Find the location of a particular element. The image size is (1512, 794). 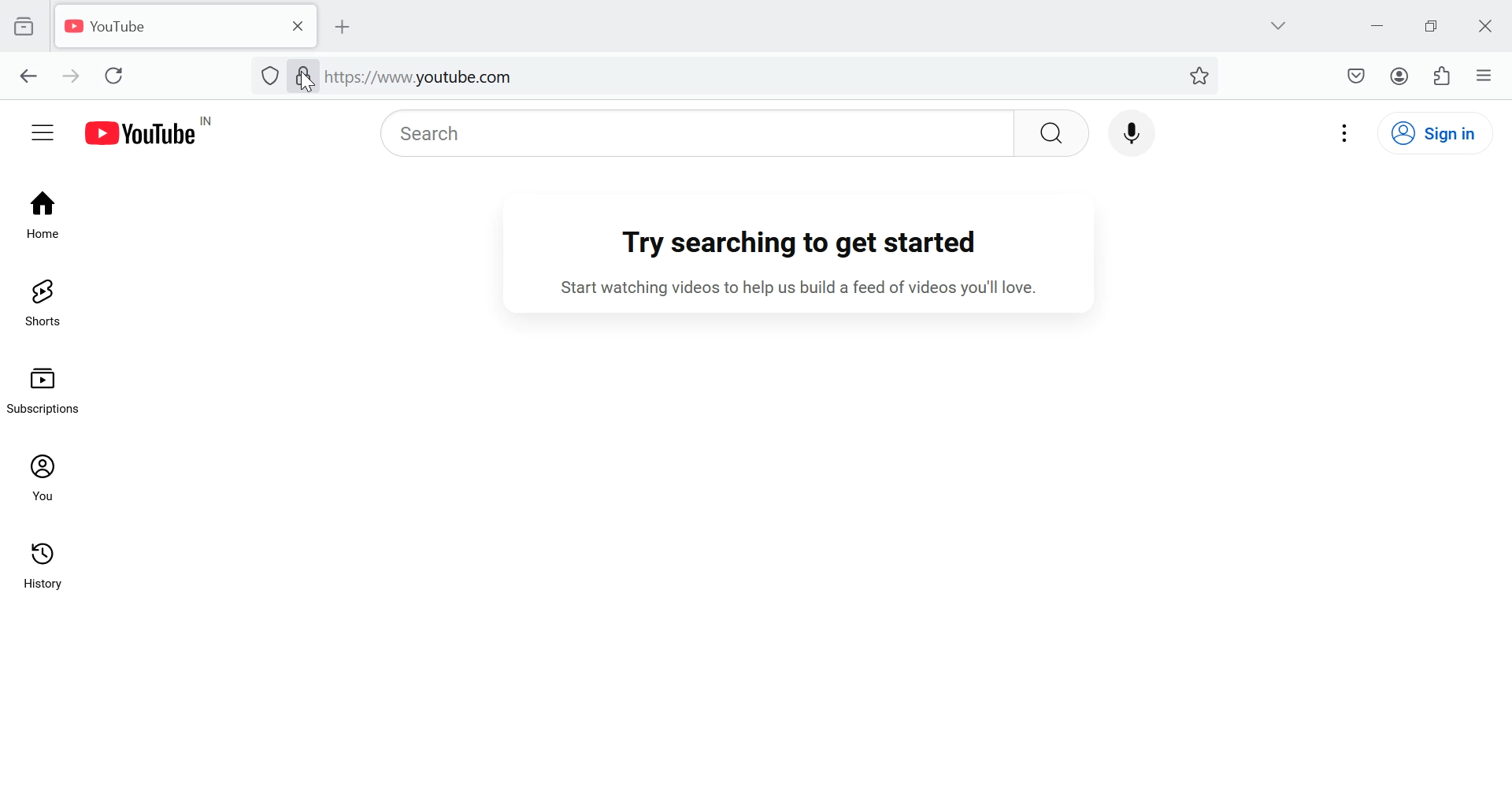

Account is located at coordinates (1399, 76).